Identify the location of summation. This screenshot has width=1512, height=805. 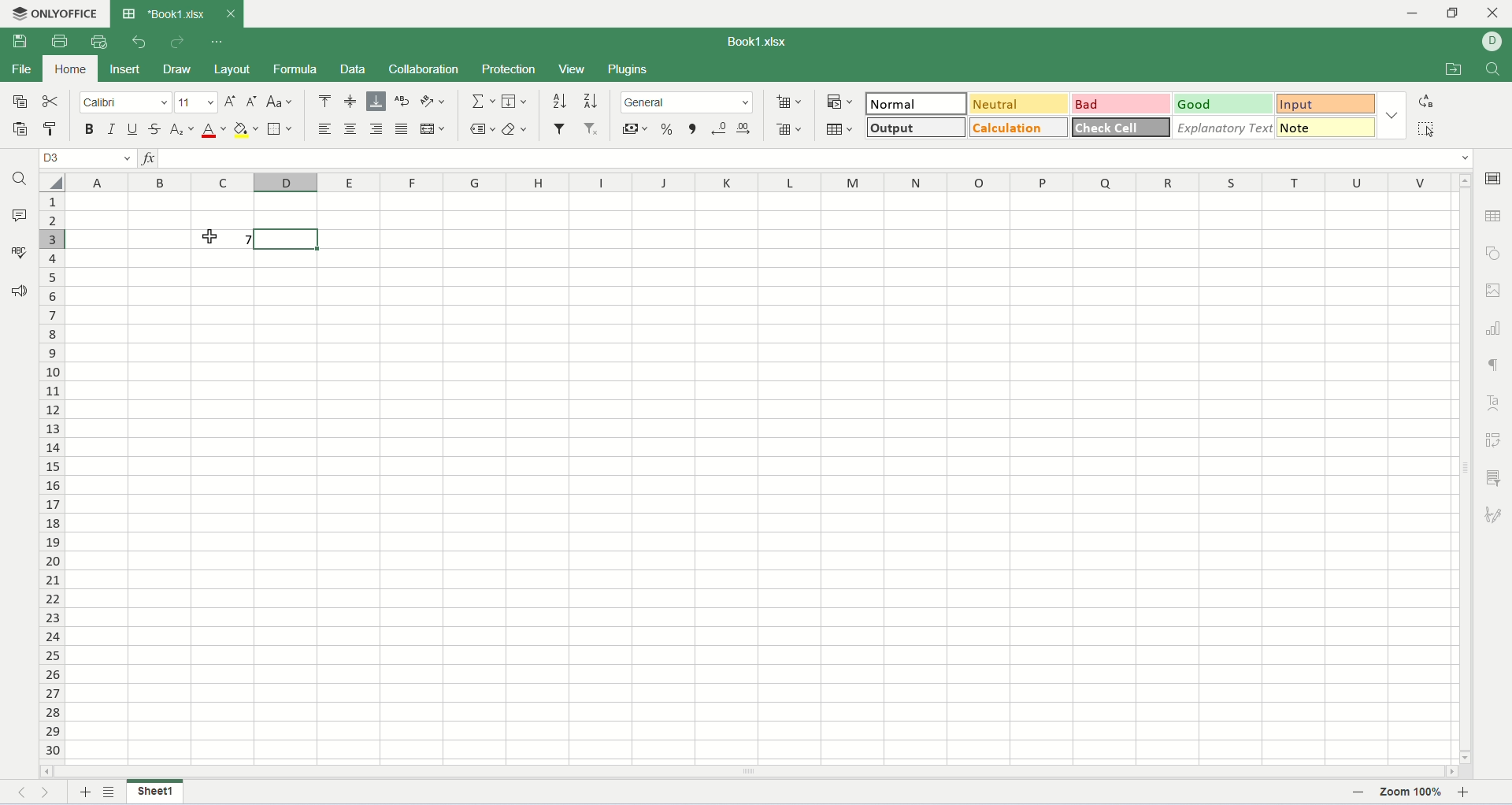
(483, 101).